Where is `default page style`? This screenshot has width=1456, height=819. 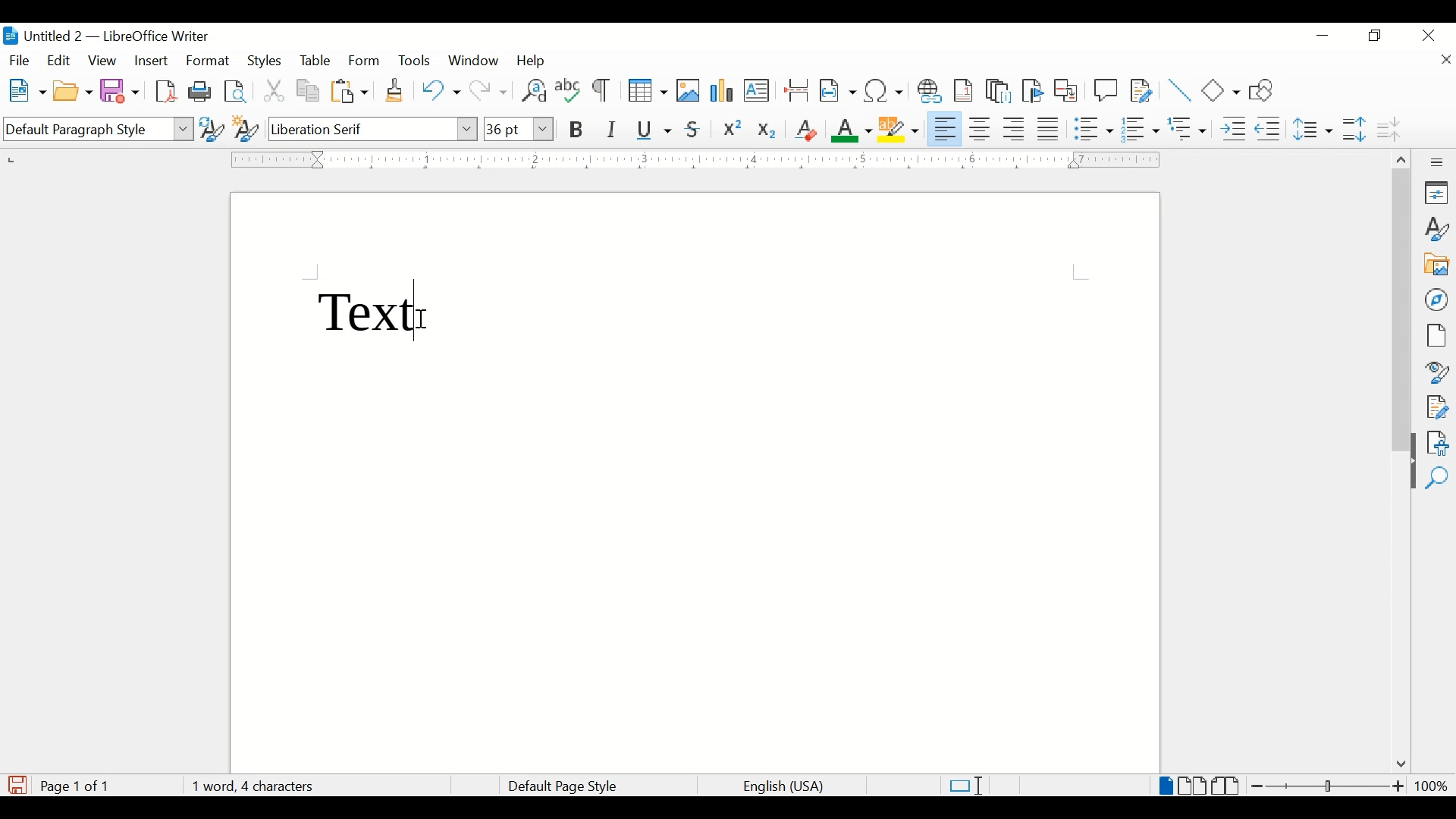 default page style is located at coordinates (560, 786).